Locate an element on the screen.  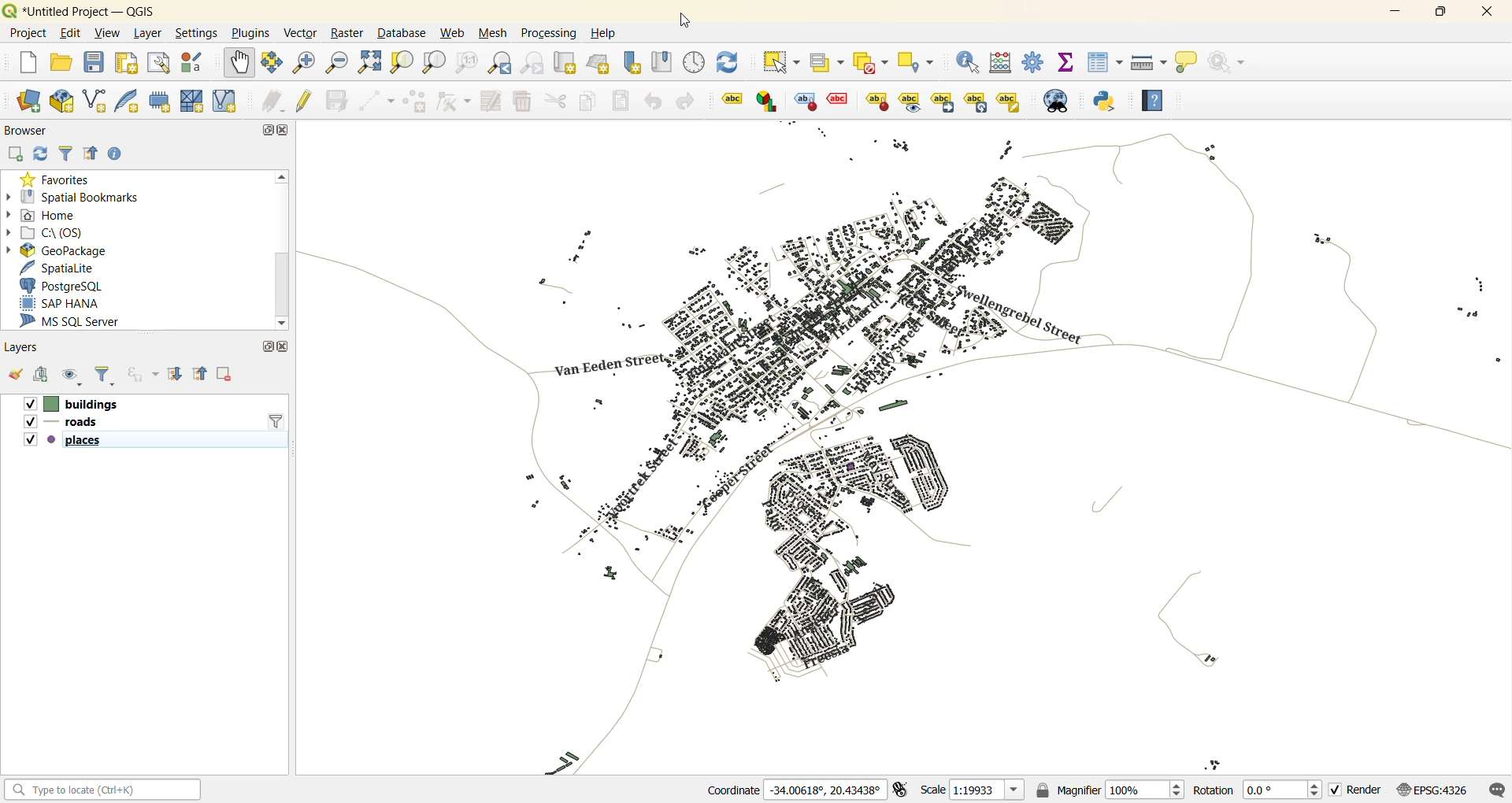
places is located at coordinates (65, 441).